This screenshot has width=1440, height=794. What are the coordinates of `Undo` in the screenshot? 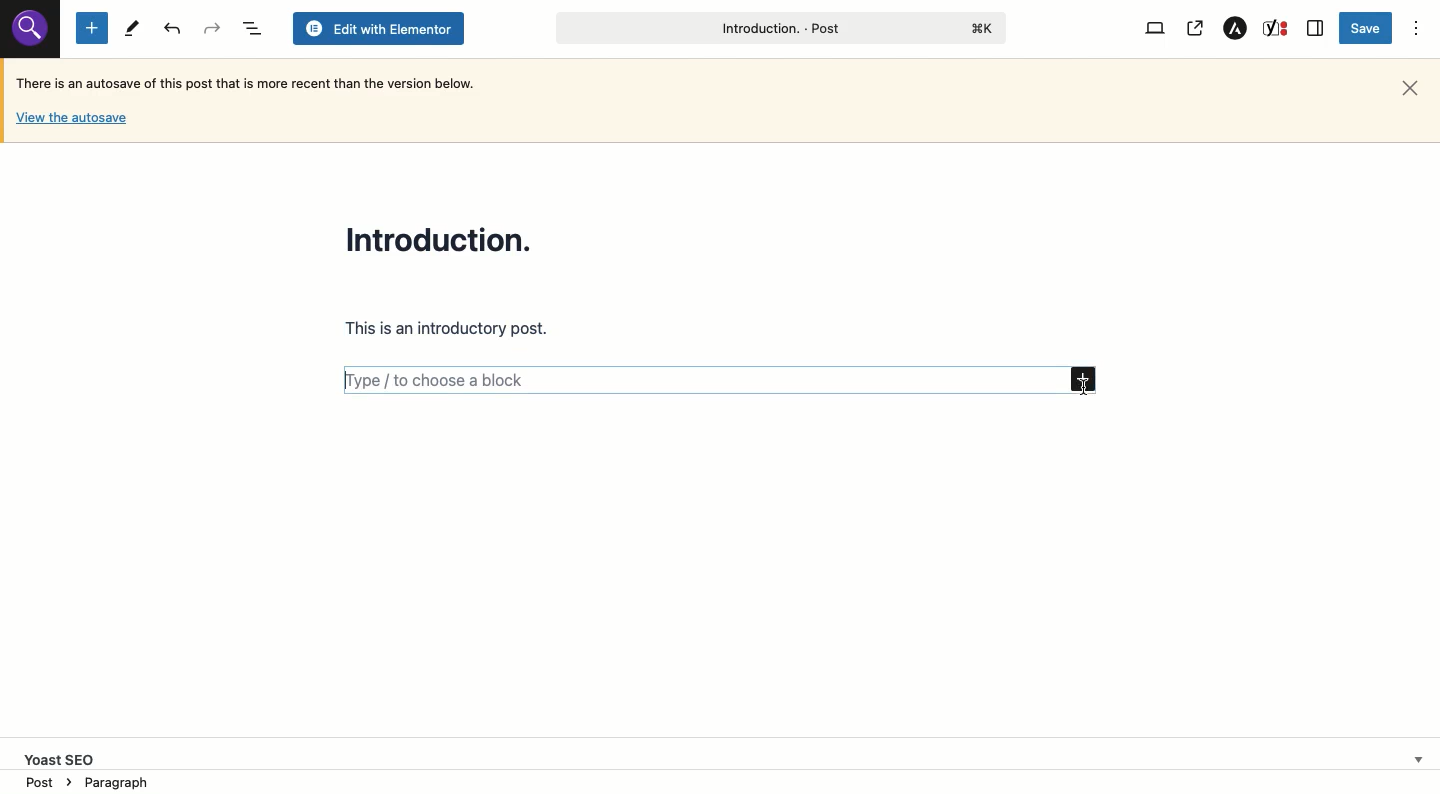 It's located at (211, 28).